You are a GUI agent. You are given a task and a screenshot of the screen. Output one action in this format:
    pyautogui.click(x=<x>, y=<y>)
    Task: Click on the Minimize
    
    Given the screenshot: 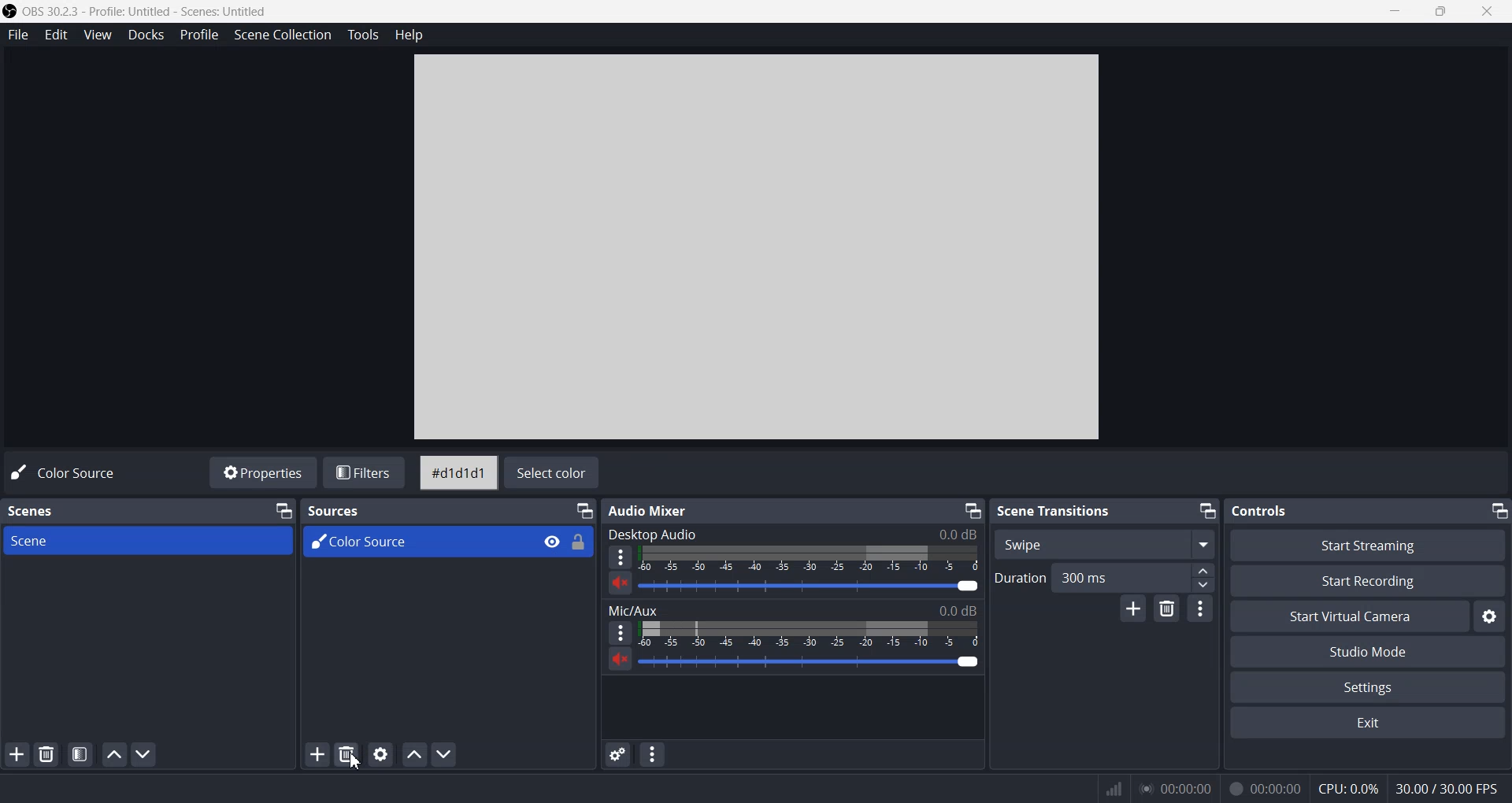 What is the action you would take?
    pyautogui.click(x=283, y=510)
    